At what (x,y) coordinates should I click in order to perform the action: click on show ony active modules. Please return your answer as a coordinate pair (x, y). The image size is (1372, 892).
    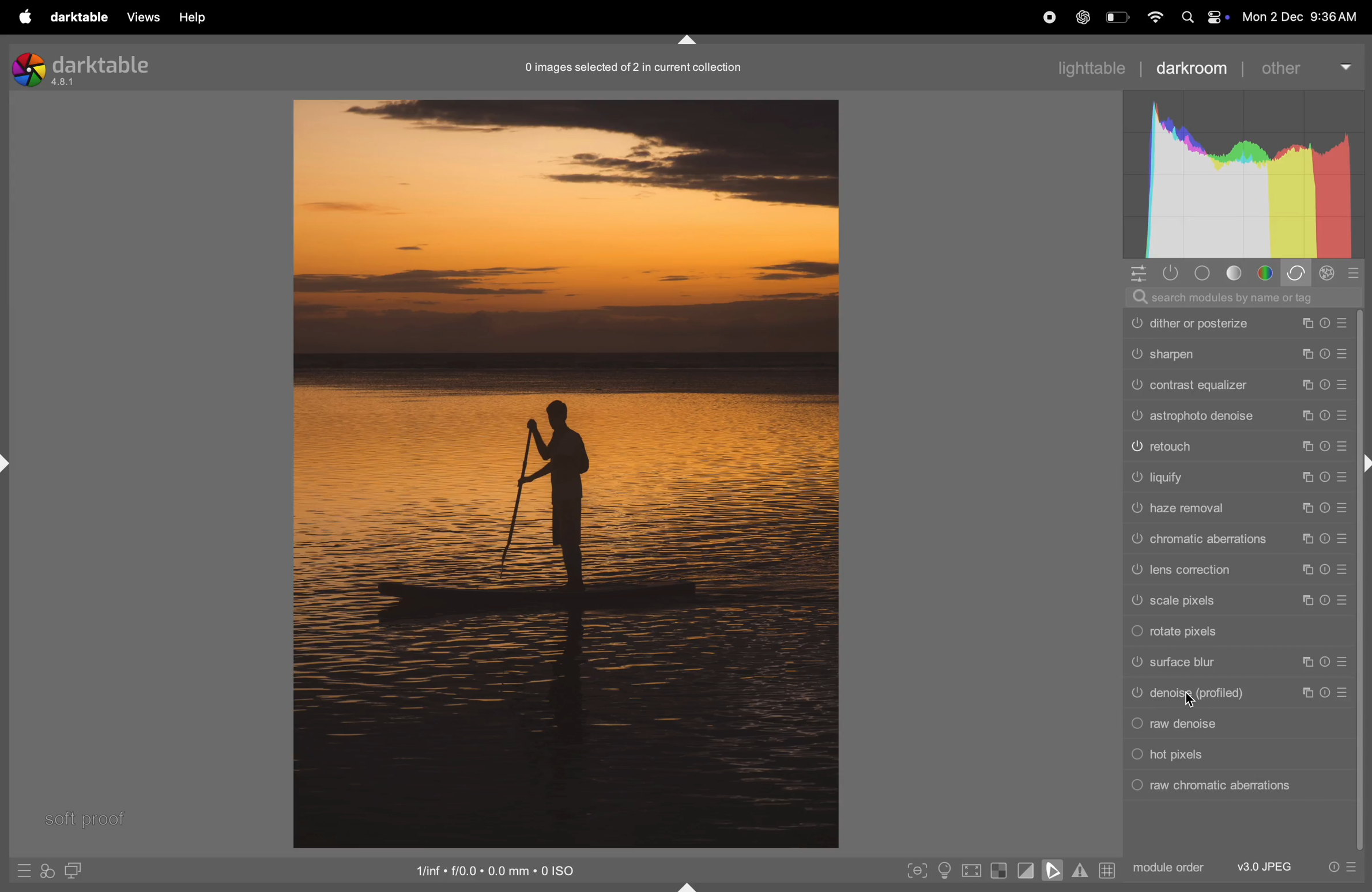
    Looking at the image, I should click on (1173, 273).